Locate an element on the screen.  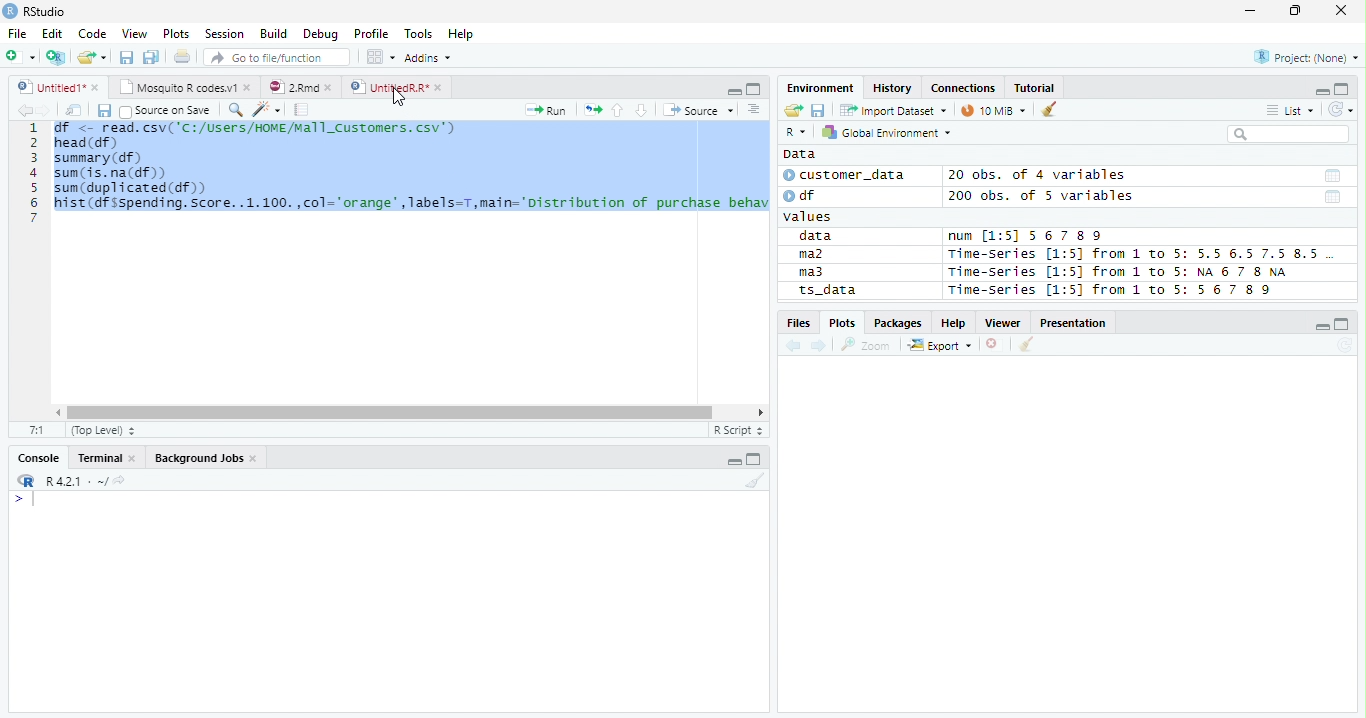
ma2 is located at coordinates (816, 256).